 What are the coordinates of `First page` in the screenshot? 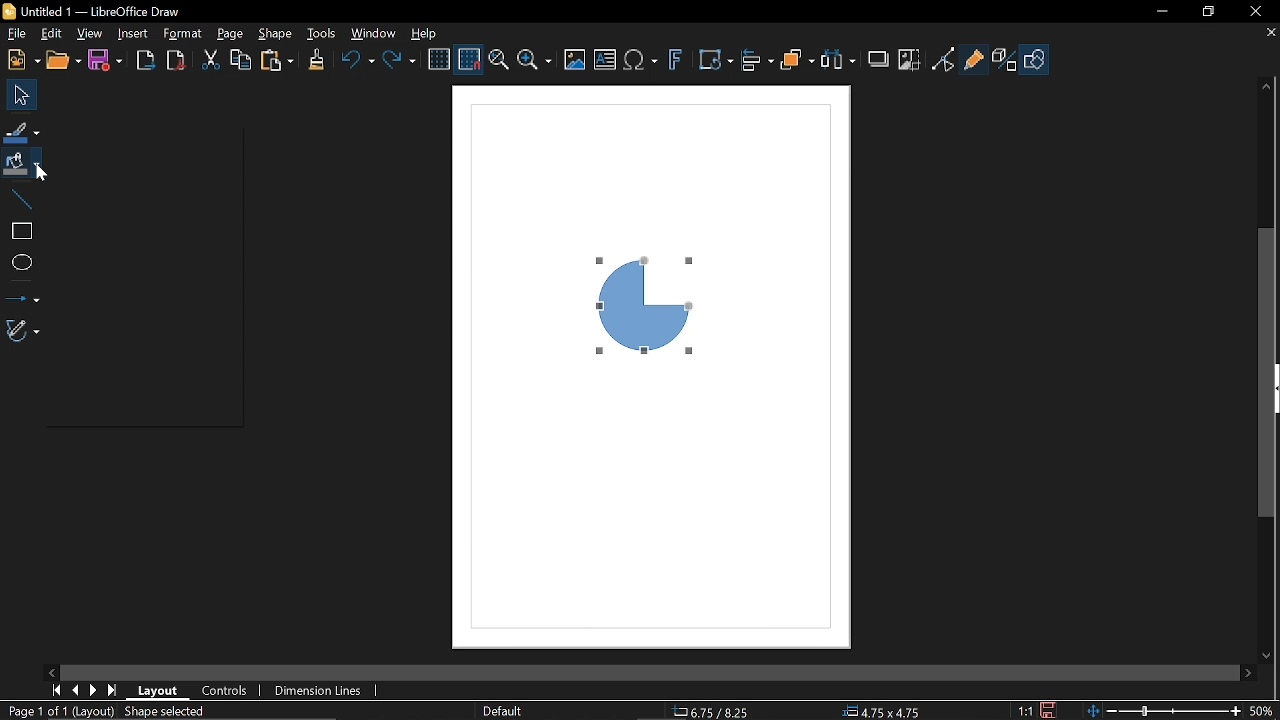 It's located at (58, 690).